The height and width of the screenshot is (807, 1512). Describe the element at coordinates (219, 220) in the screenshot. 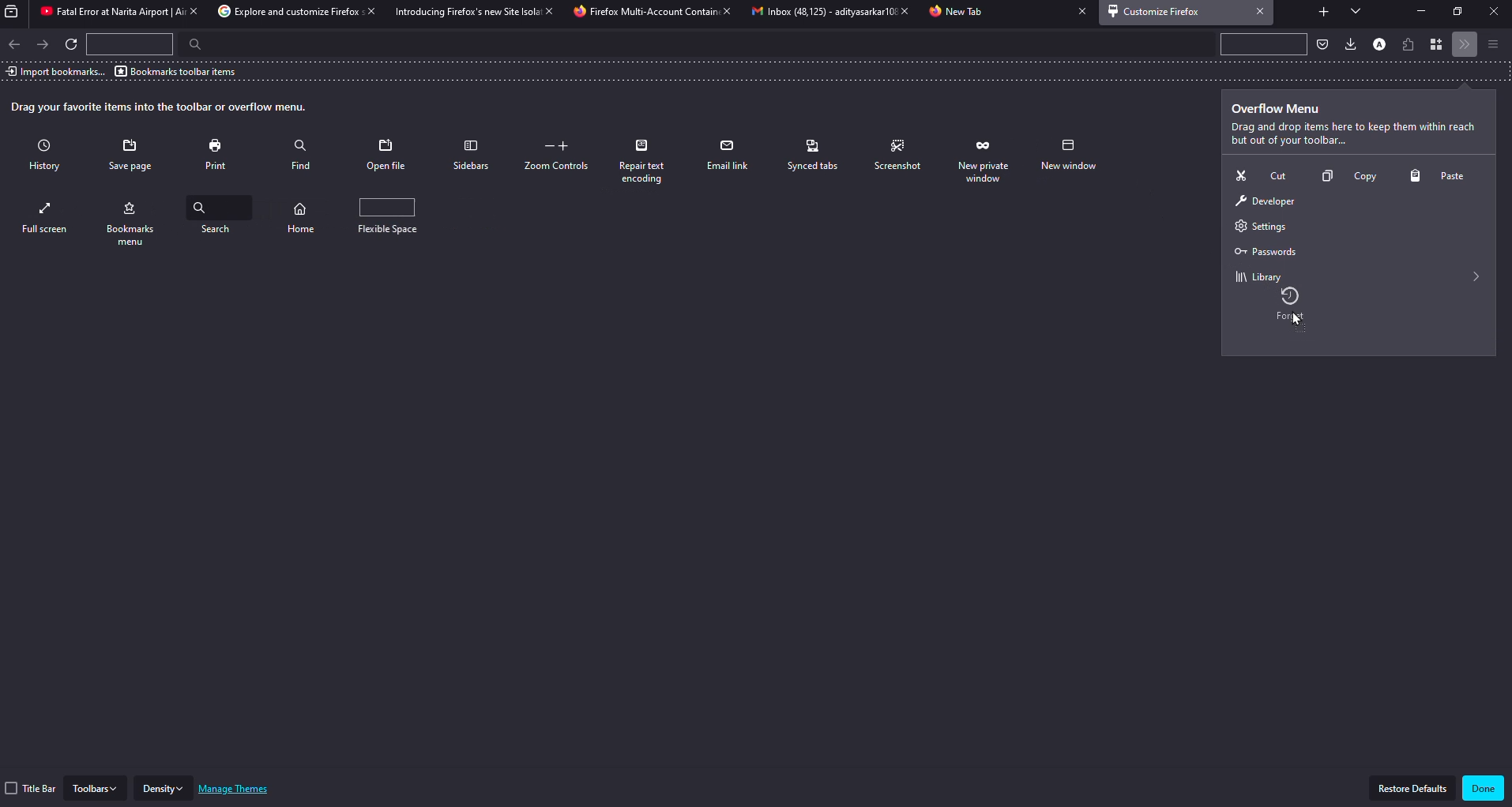

I see `bookmarks menu` at that location.